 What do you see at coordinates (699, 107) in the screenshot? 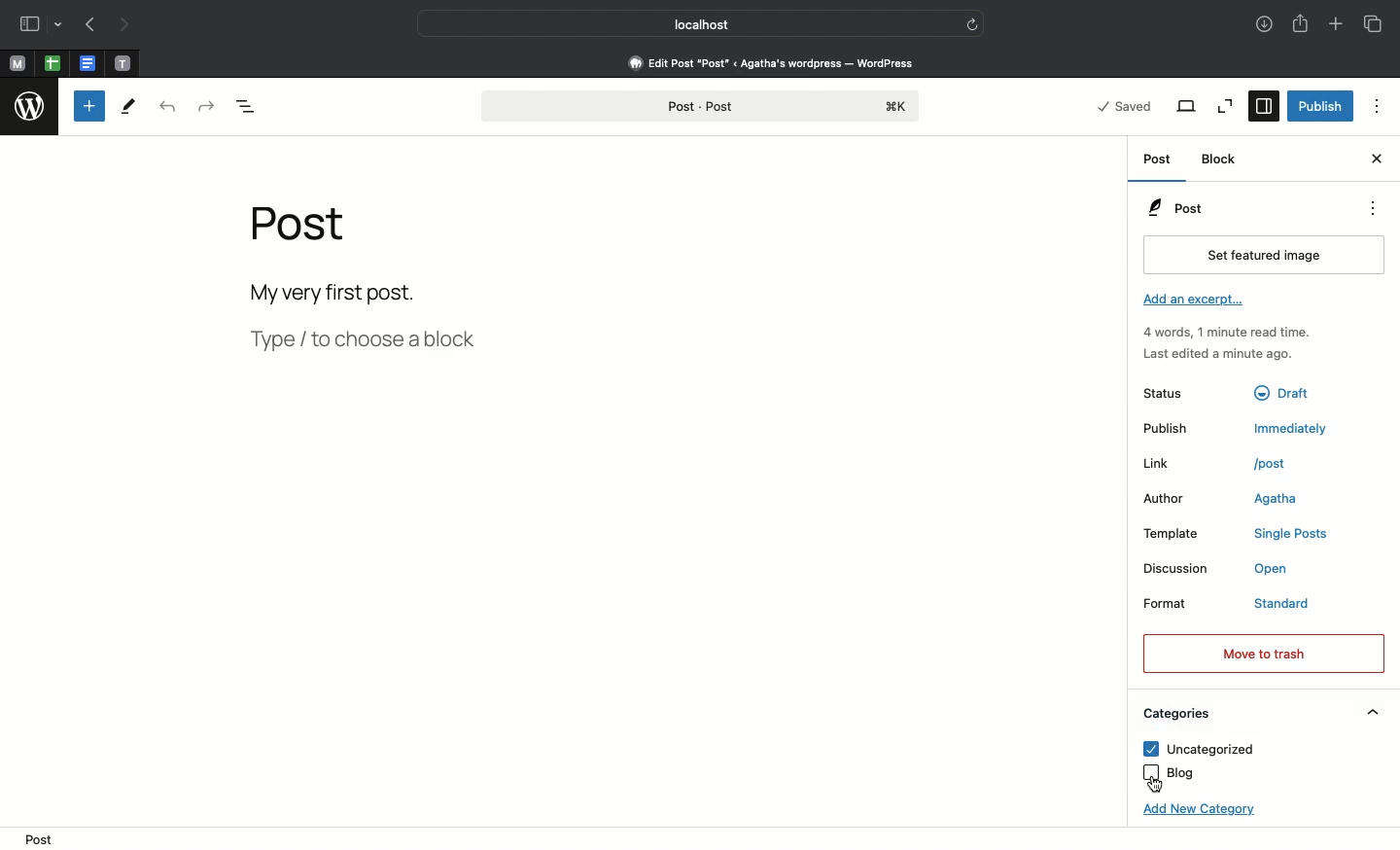
I see `Post-Post` at bounding box center [699, 107].